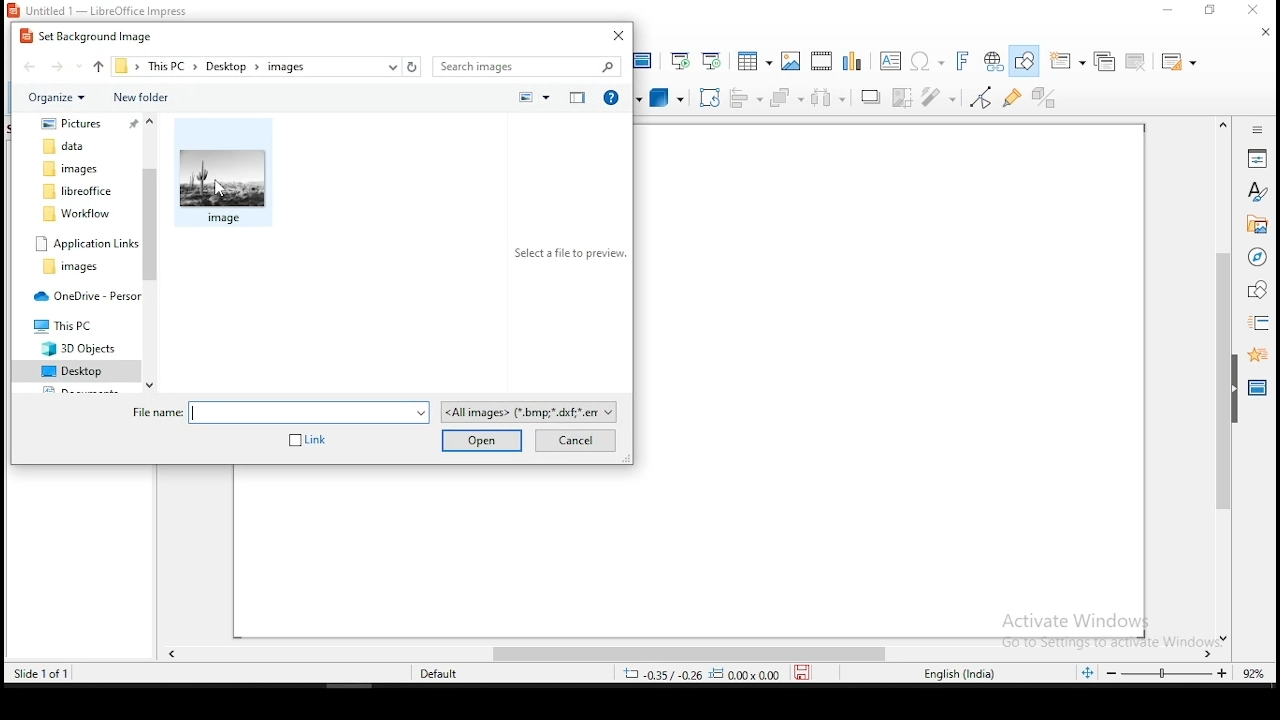  What do you see at coordinates (959, 676) in the screenshot?
I see `english (india)` at bounding box center [959, 676].